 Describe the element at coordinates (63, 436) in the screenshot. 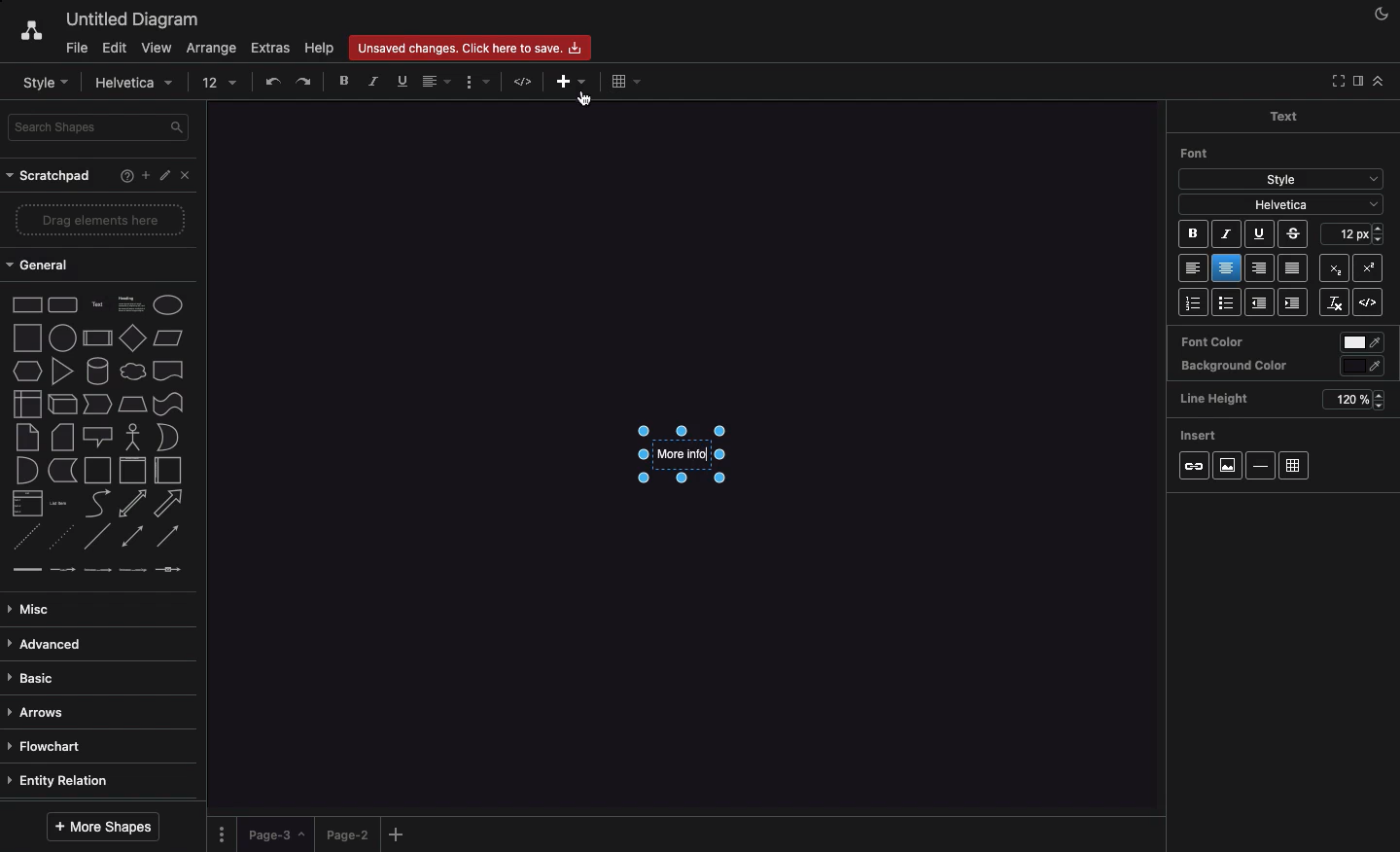

I see `card` at that location.